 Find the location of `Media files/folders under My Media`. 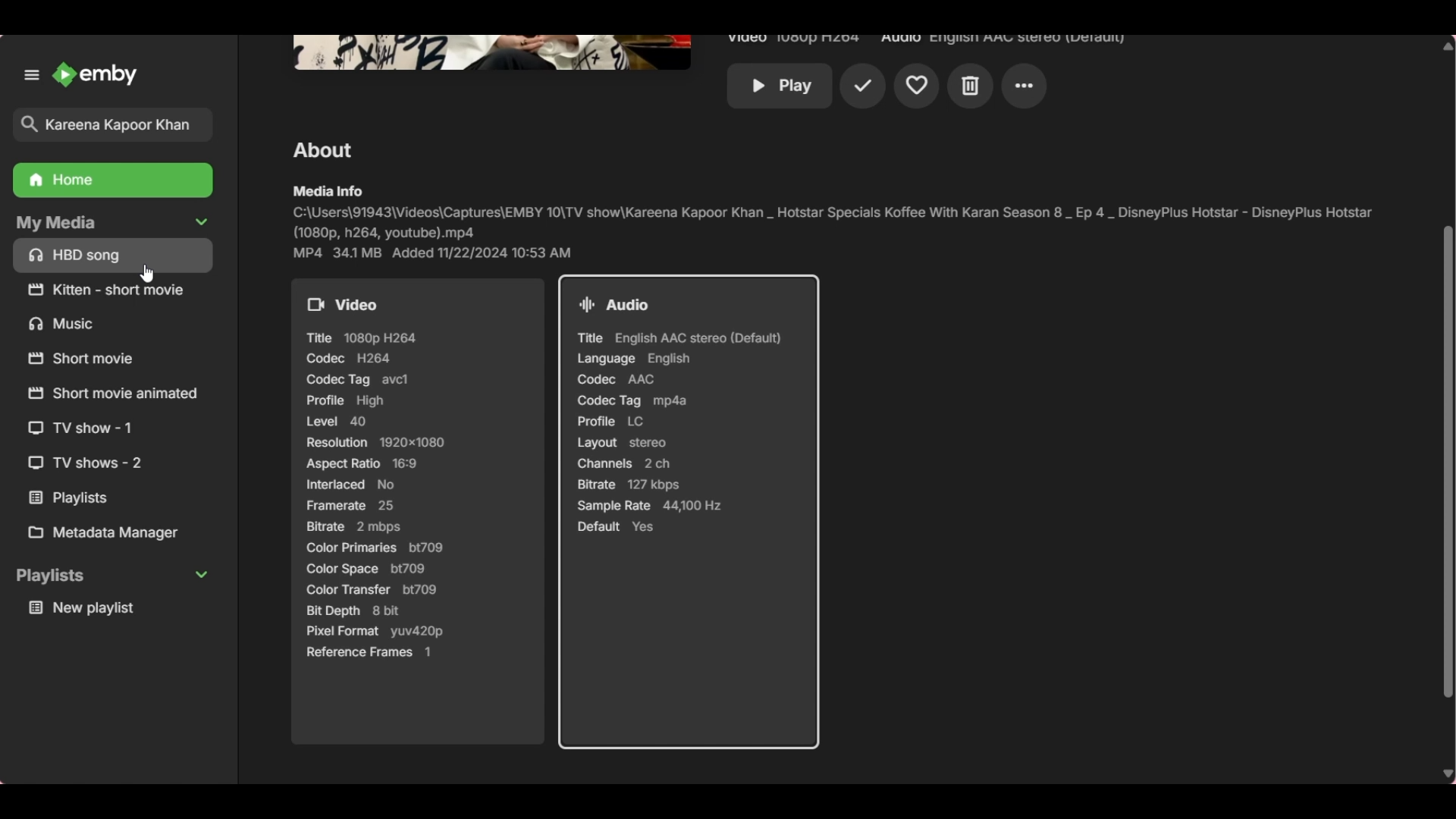

Media files/folders under My Media is located at coordinates (114, 257).